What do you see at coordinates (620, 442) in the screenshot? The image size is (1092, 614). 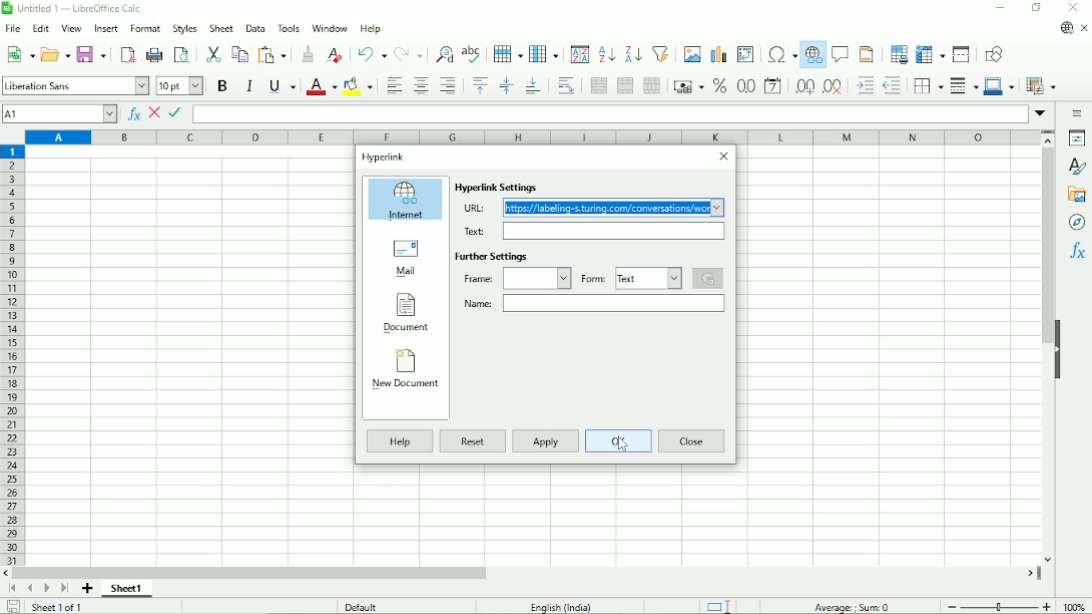 I see `OK` at bounding box center [620, 442].